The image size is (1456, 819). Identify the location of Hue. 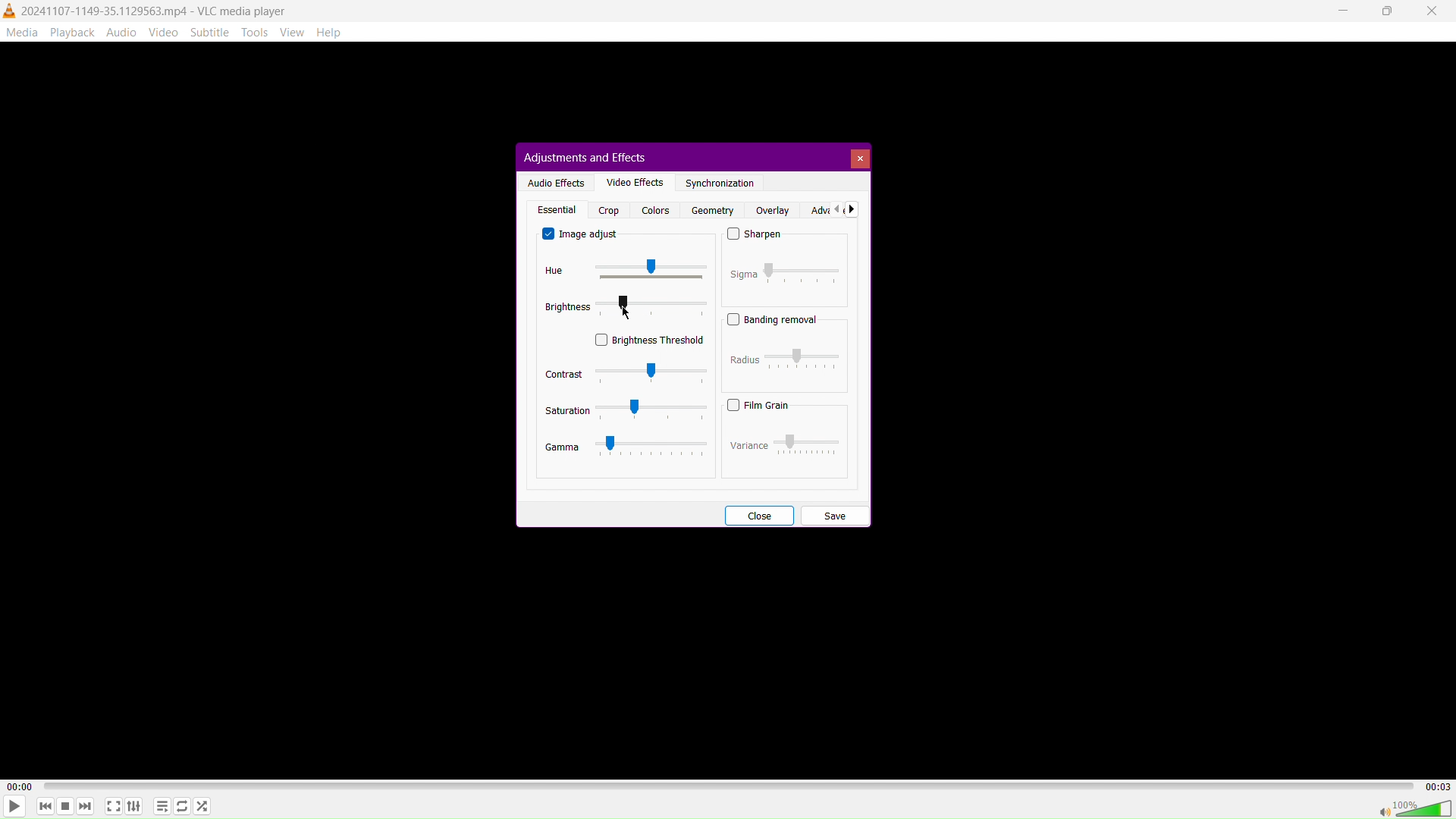
(619, 271).